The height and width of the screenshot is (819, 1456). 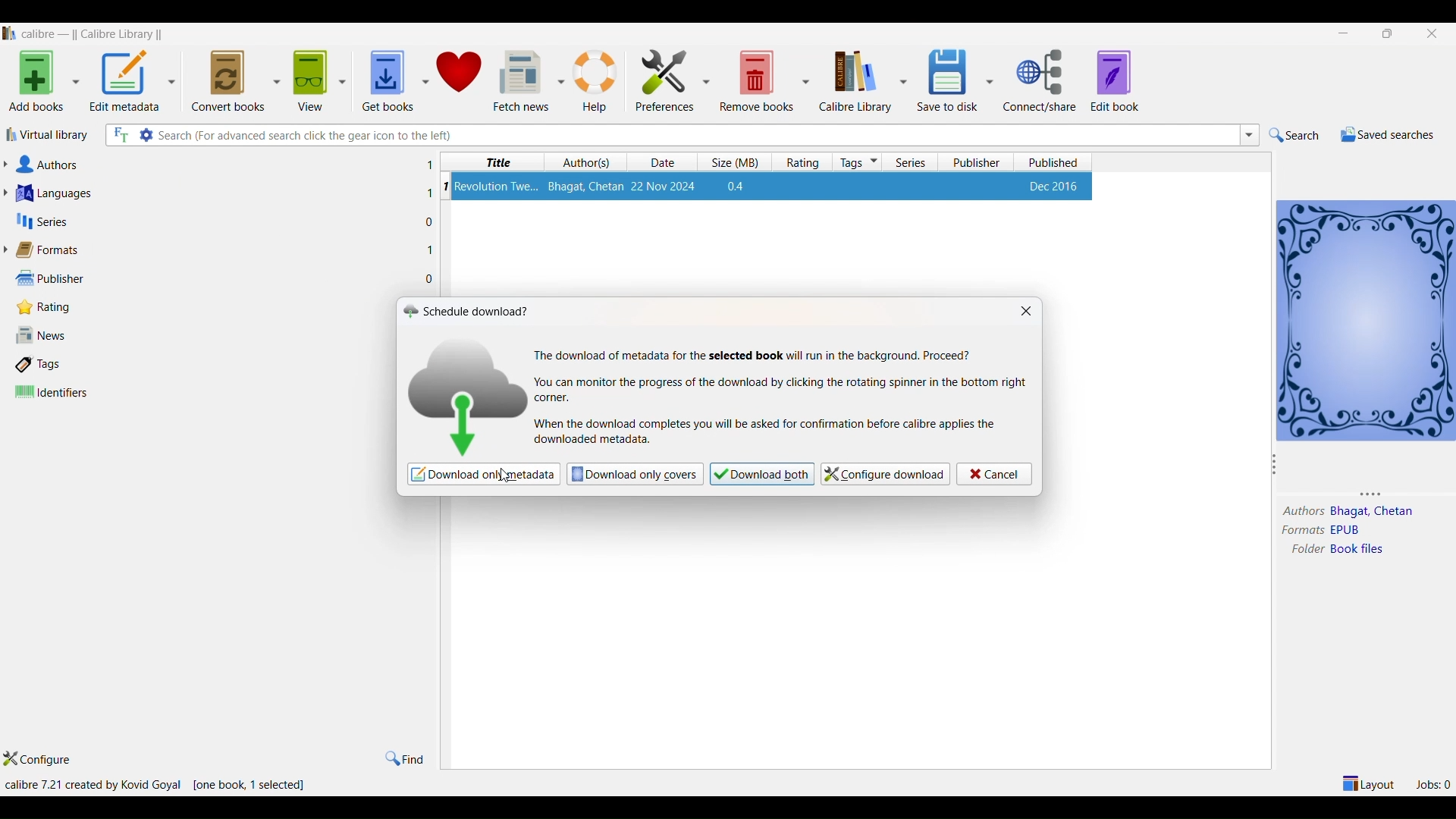 I want to click on save to disk, so click(x=946, y=77).